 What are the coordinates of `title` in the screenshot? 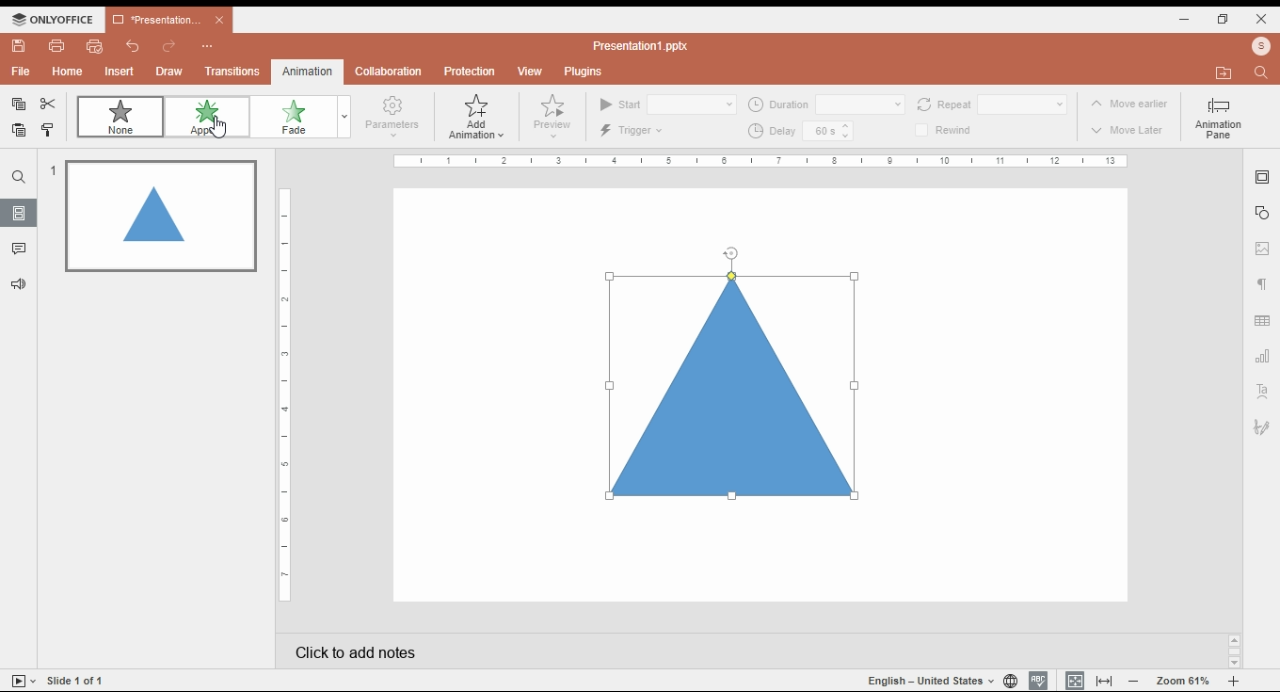 It's located at (641, 46).